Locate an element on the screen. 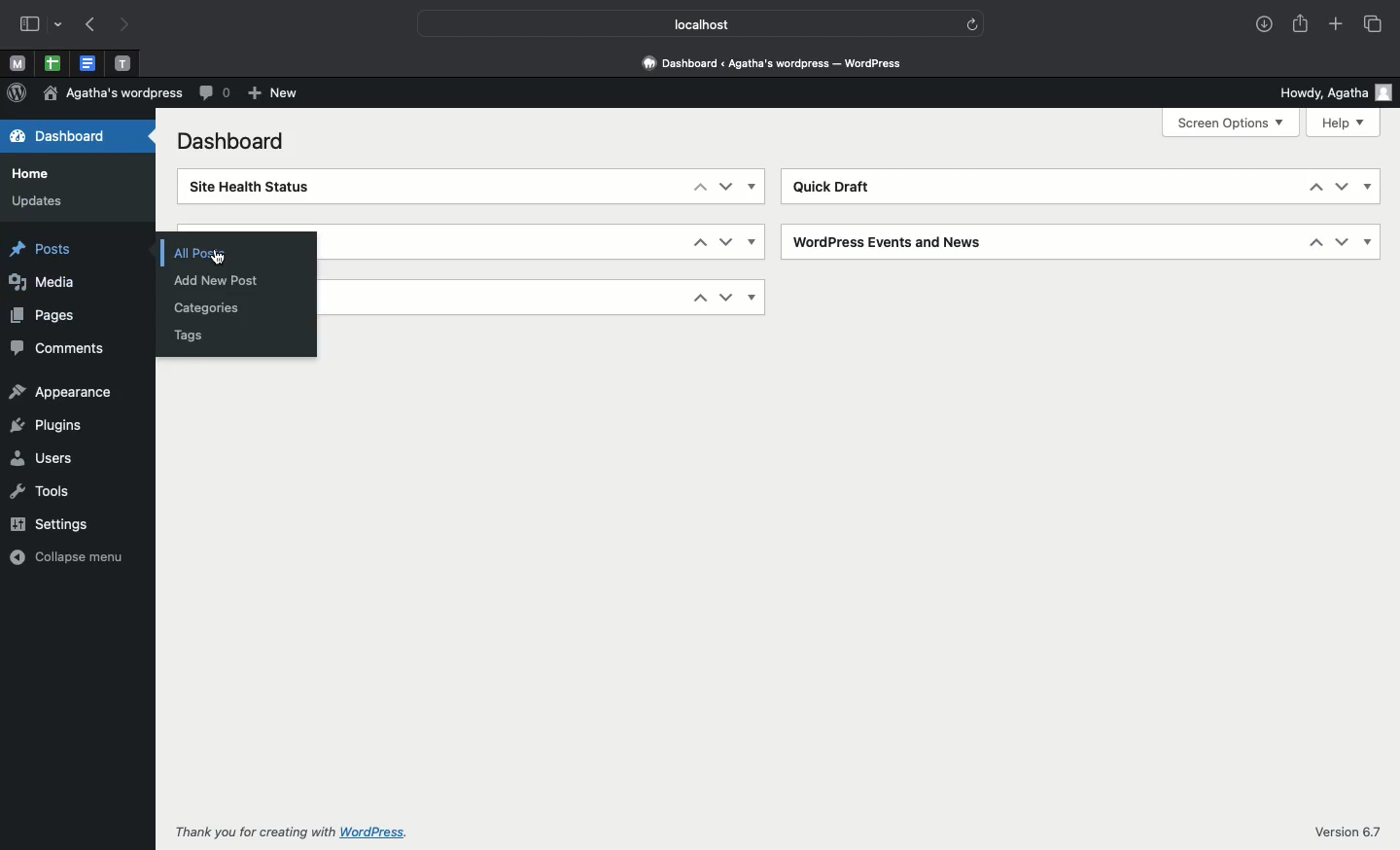 This screenshot has width=1400, height=850. Quick draft is located at coordinates (838, 187).